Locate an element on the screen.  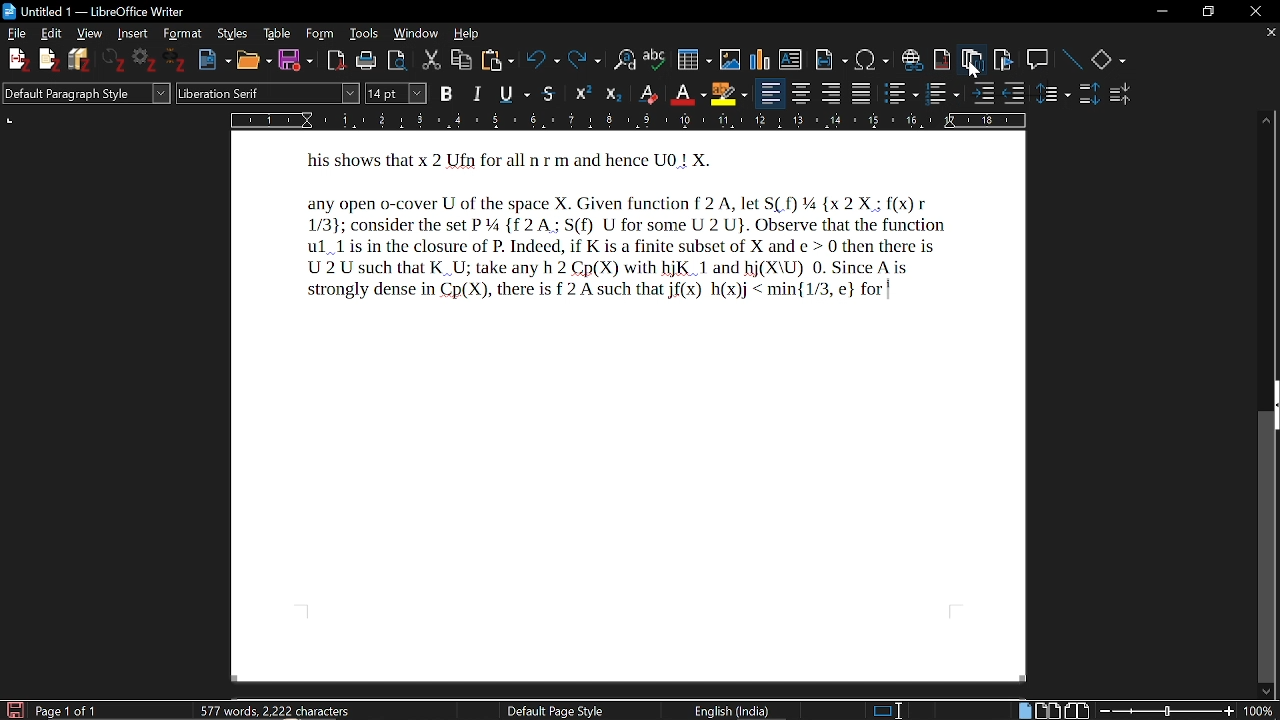
Decrease paragraph spacing is located at coordinates (1123, 97).